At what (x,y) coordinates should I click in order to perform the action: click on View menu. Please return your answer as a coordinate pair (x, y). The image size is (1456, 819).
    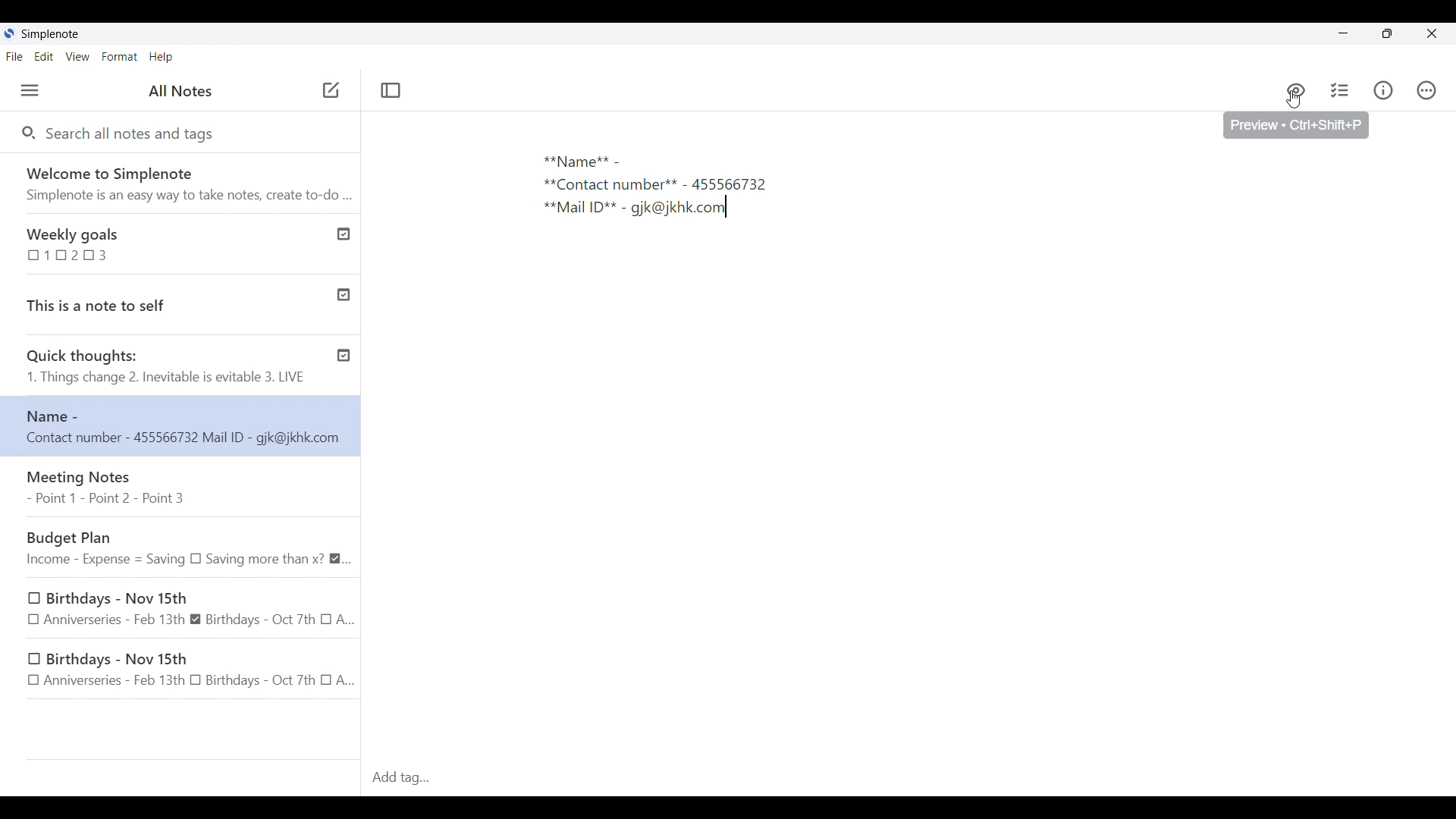
    Looking at the image, I should click on (78, 57).